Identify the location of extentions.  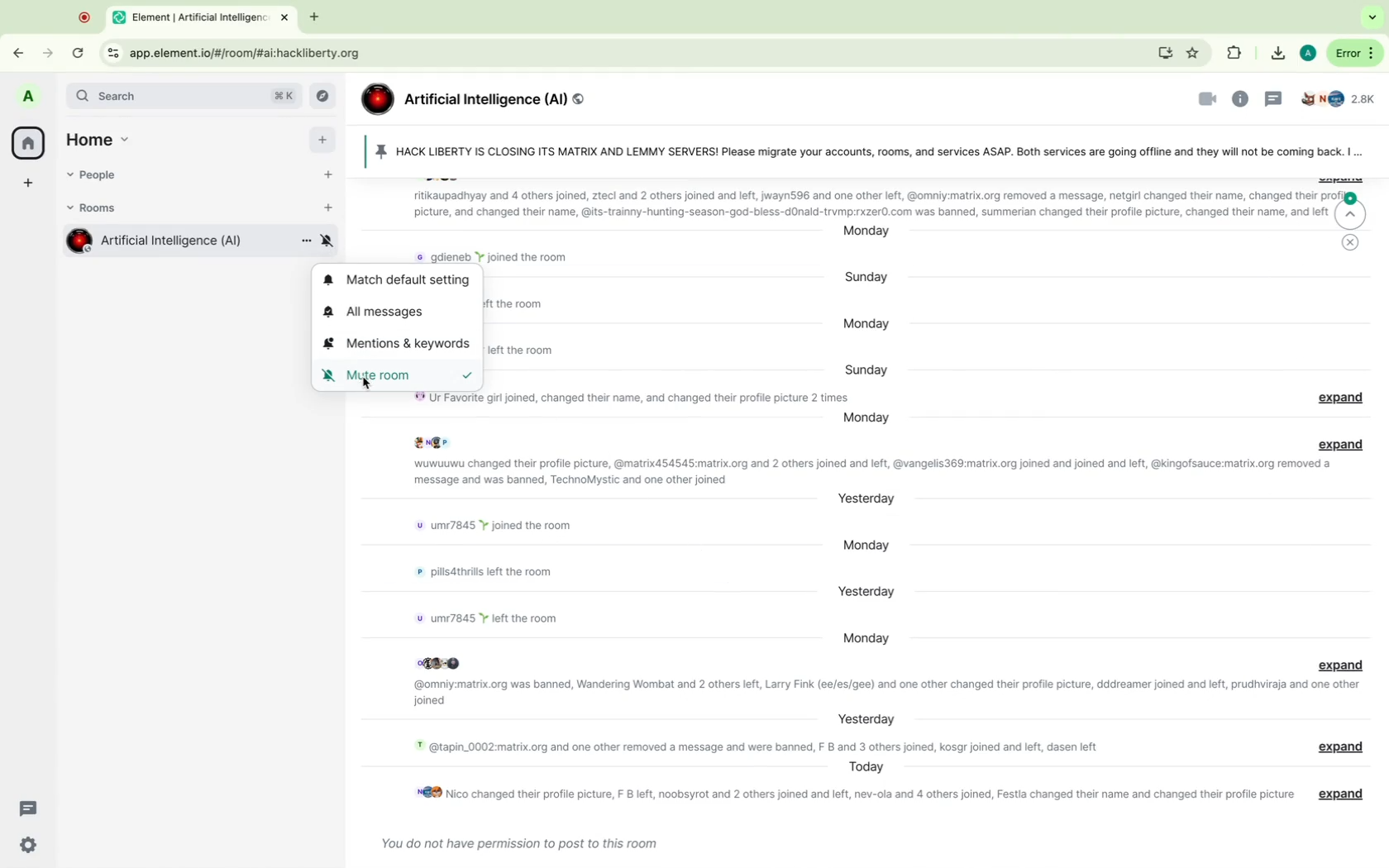
(1236, 53).